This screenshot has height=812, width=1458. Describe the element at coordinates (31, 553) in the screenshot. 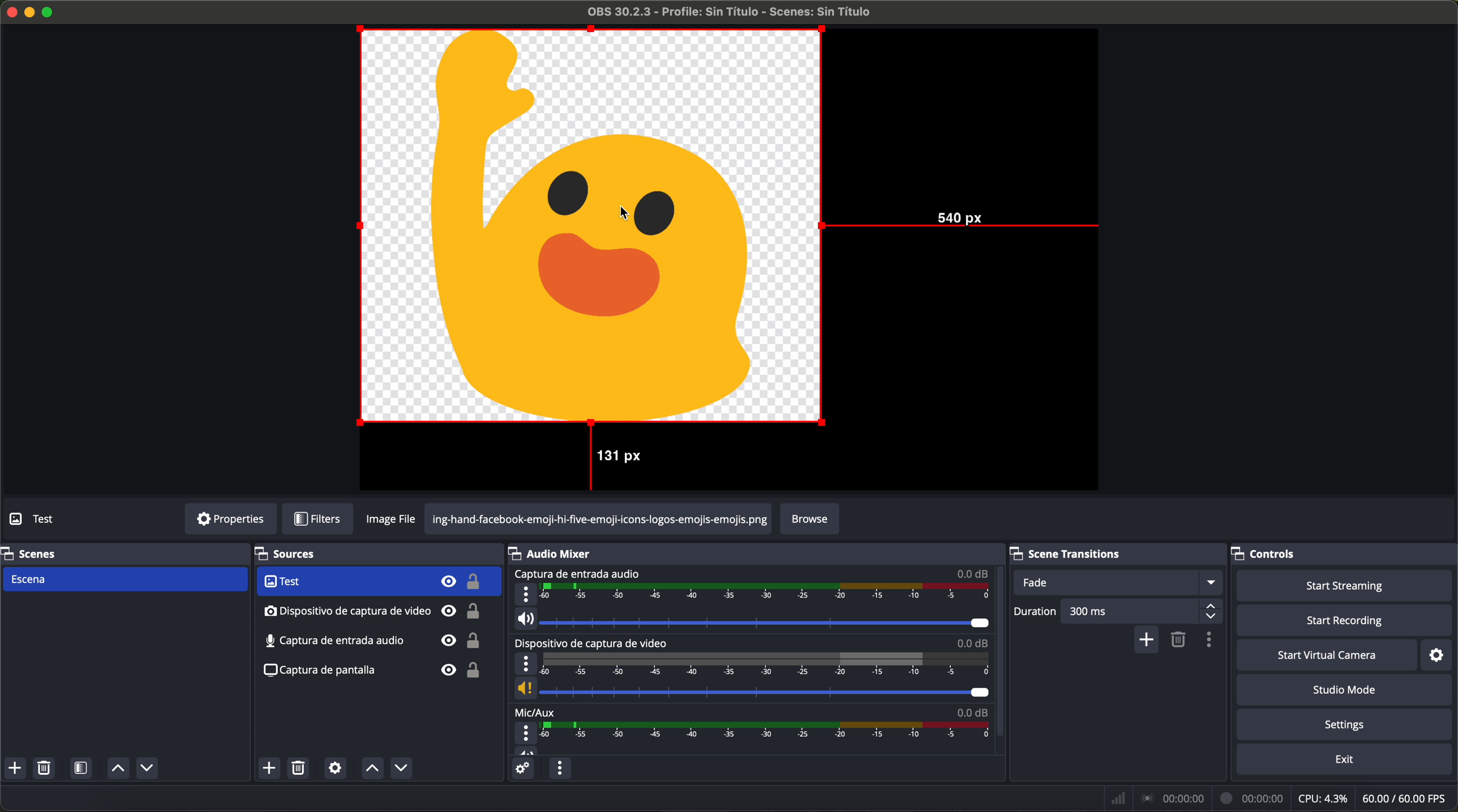

I see `scenes` at that location.